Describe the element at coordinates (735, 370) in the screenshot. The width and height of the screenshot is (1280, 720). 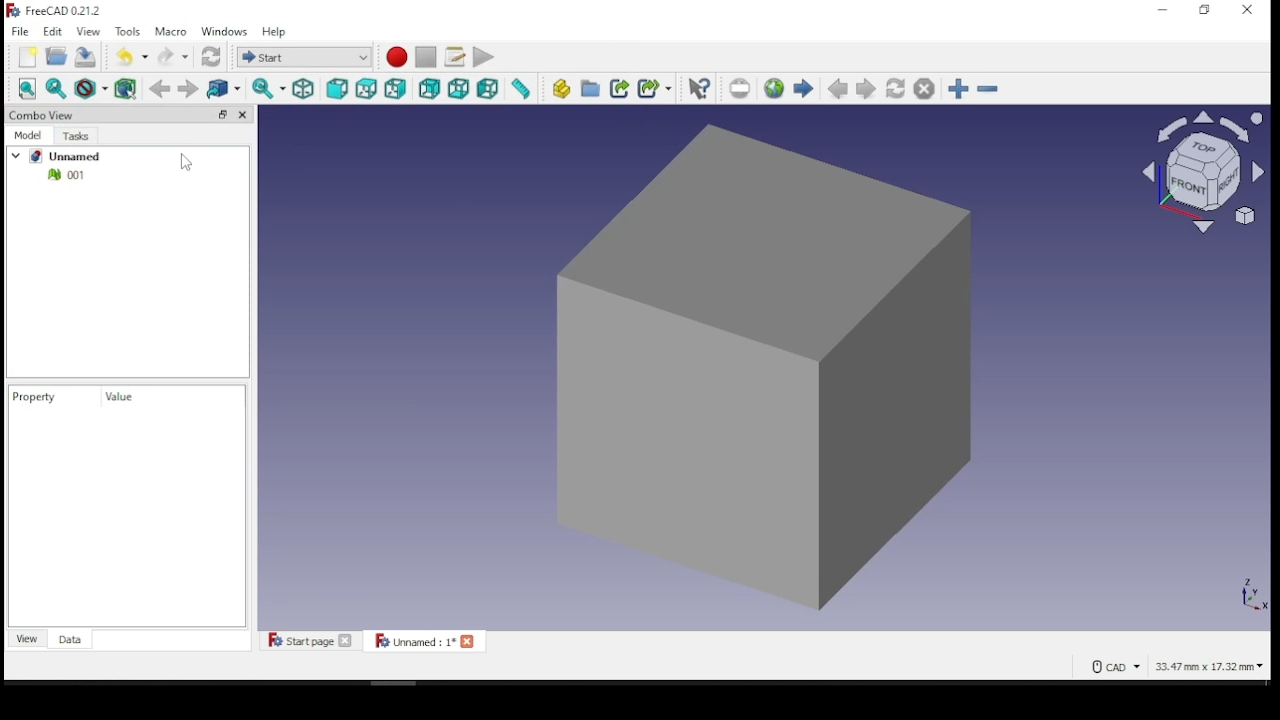
I see `imported box sketch` at that location.